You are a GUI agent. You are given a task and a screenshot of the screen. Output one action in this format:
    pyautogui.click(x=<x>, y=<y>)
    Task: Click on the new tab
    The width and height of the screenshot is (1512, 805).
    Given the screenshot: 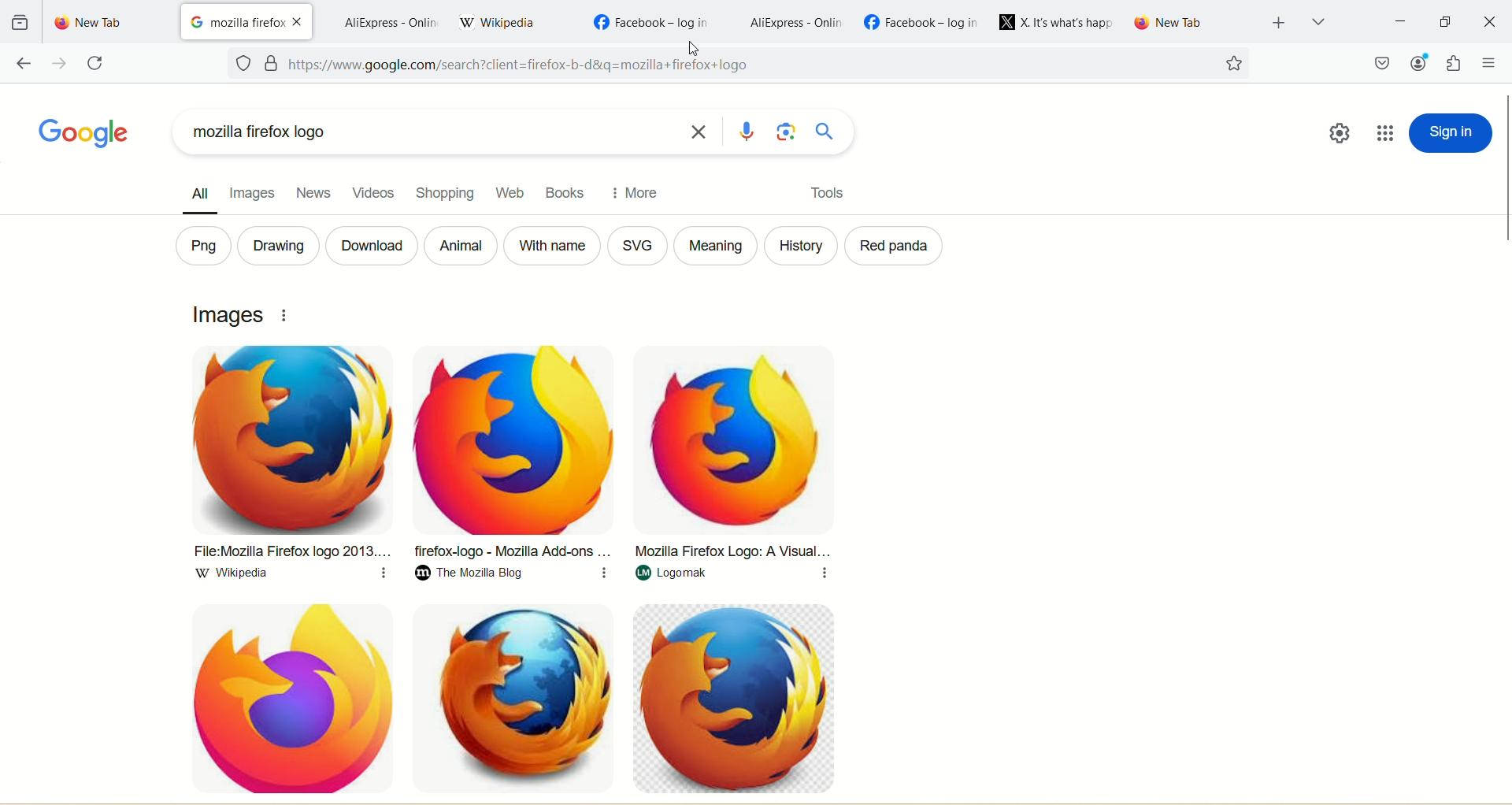 What is the action you would take?
    pyautogui.click(x=1192, y=22)
    